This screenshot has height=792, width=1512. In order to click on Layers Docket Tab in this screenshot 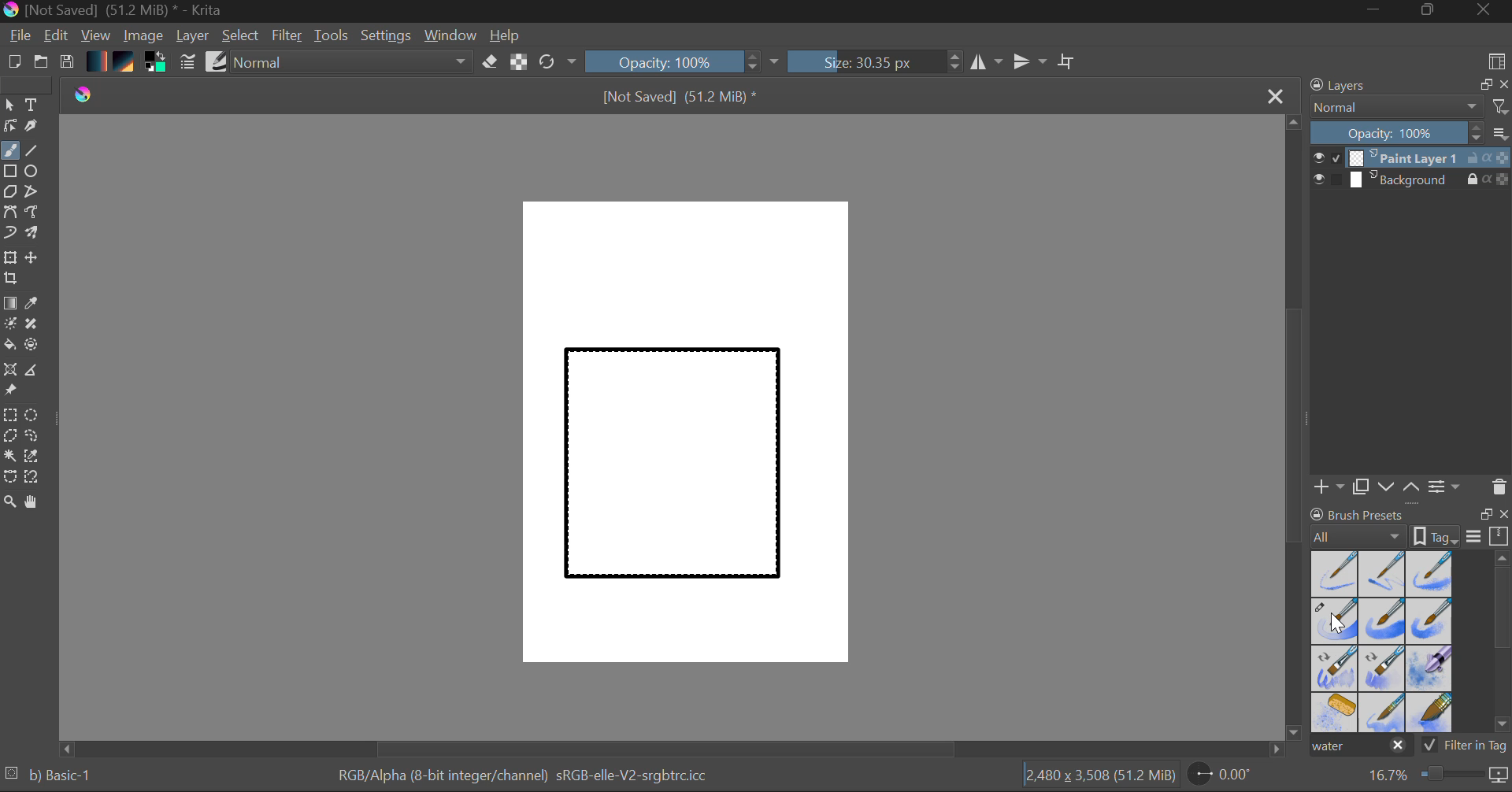, I will do `click(1407, 83)`.